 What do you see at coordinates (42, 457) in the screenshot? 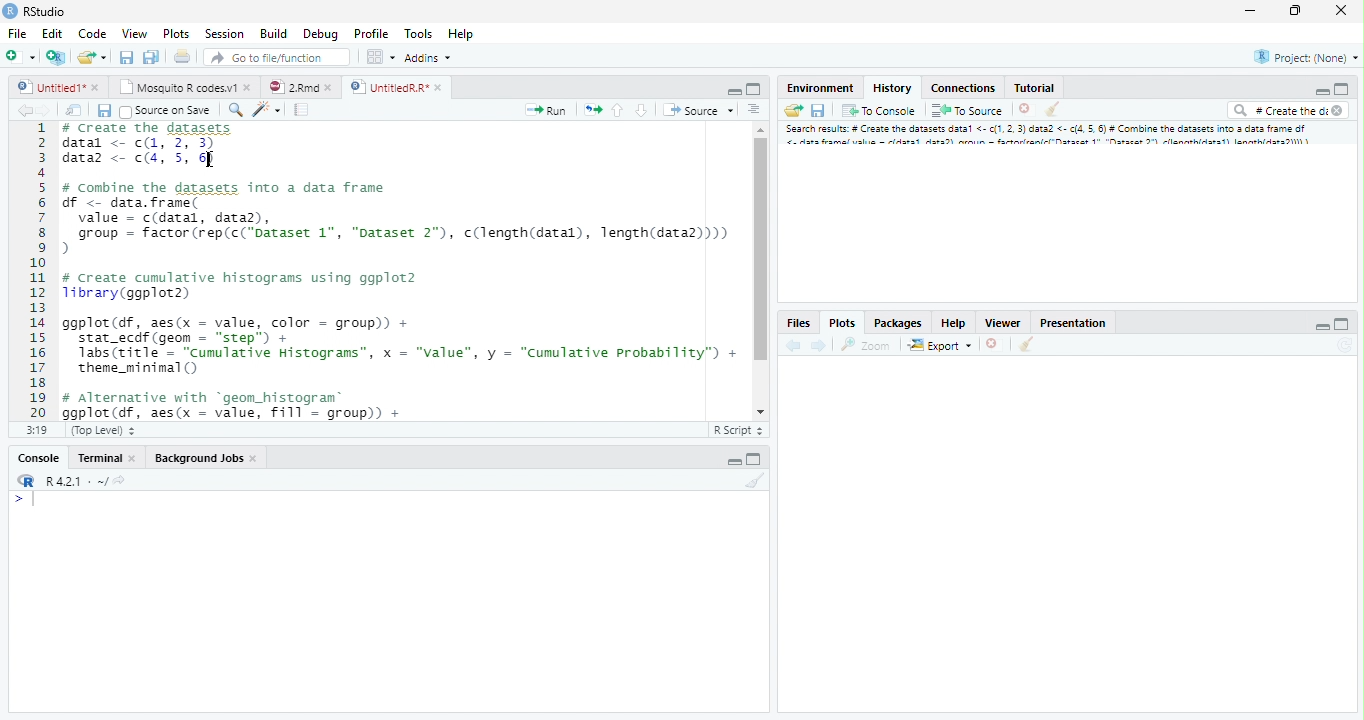
I see `Console` at bounding box center [42, 457].